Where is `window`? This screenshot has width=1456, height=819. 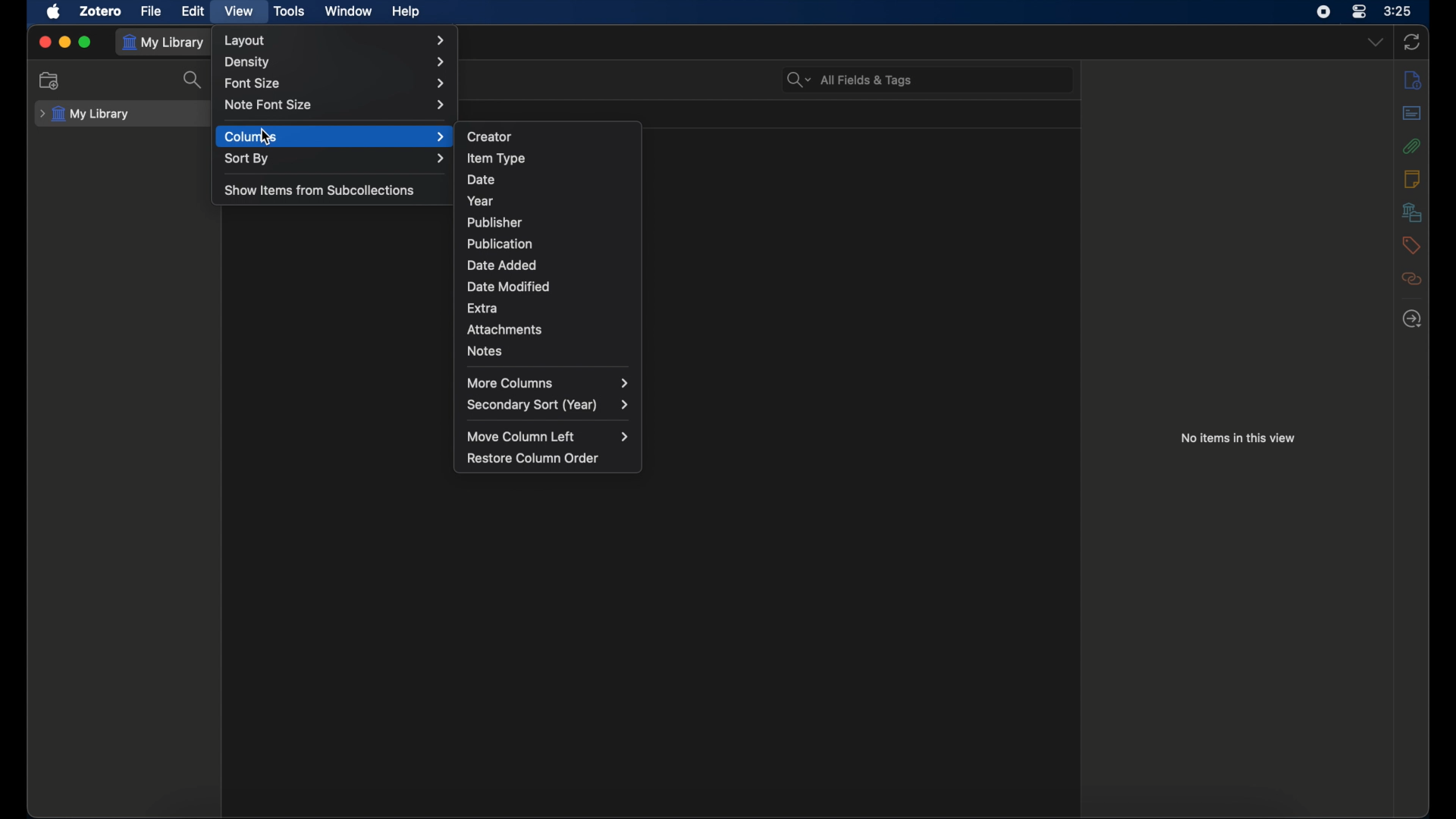
window is located at coordinates (347, 11).